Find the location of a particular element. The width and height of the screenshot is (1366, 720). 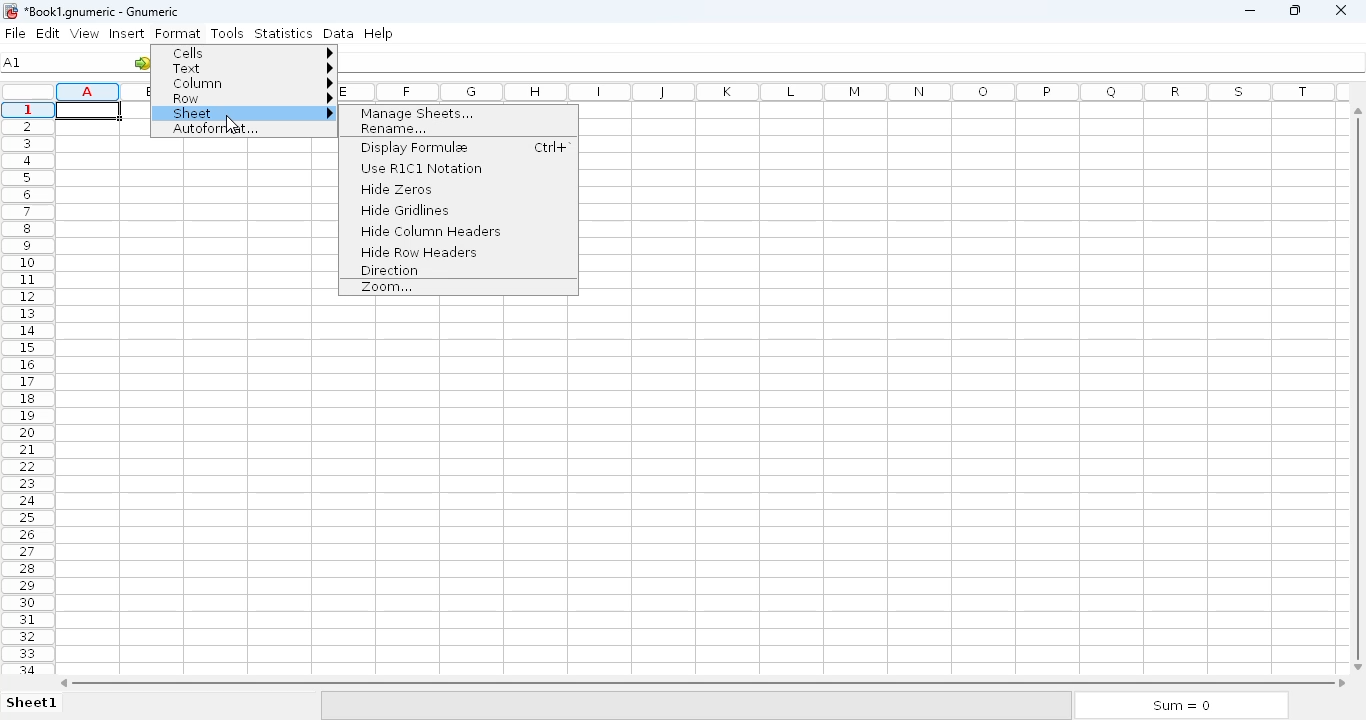

Ctrl+ is located at coordinates (550, 147).